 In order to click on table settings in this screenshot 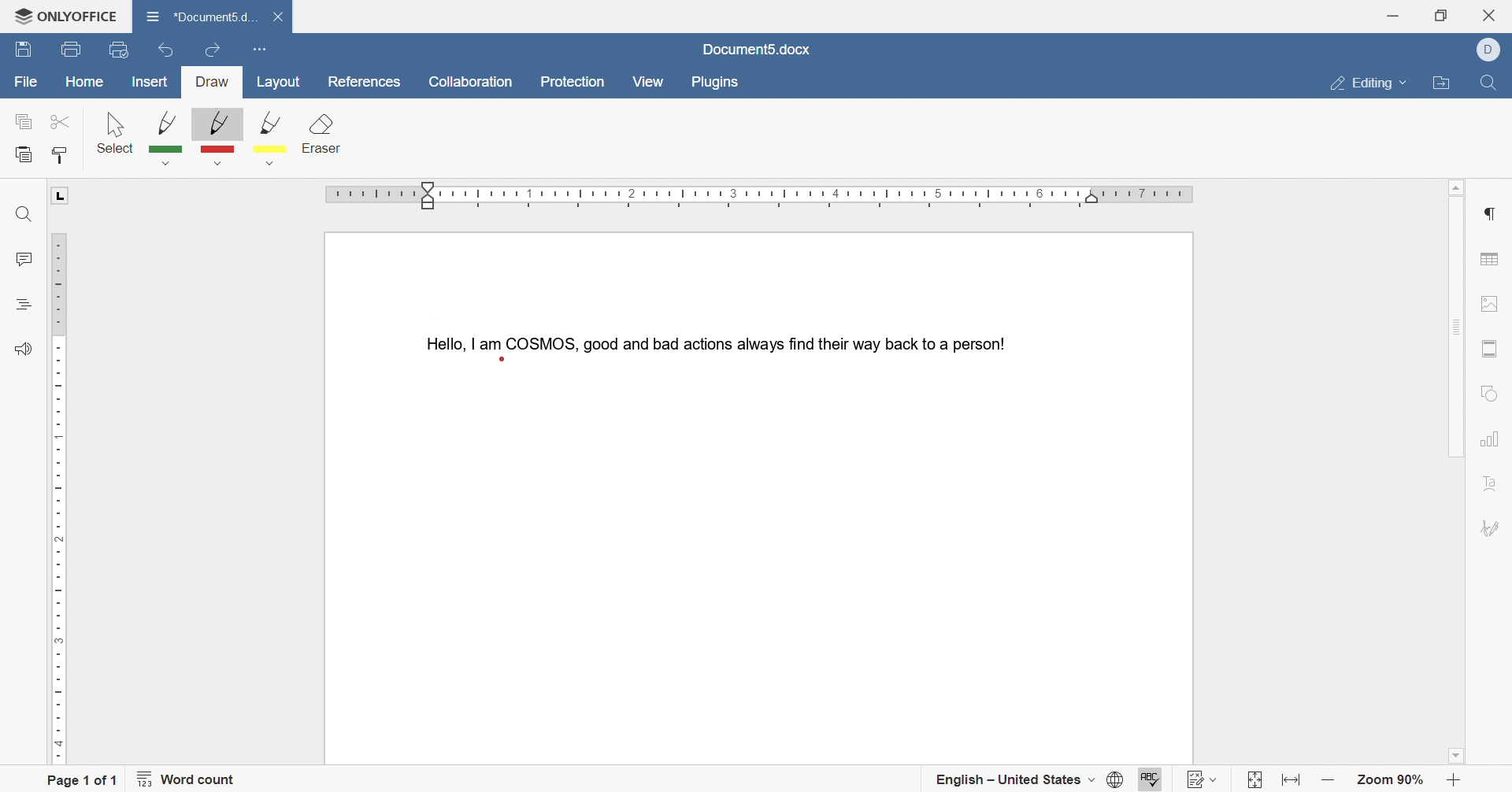, I will do `click(1492, 261)`.